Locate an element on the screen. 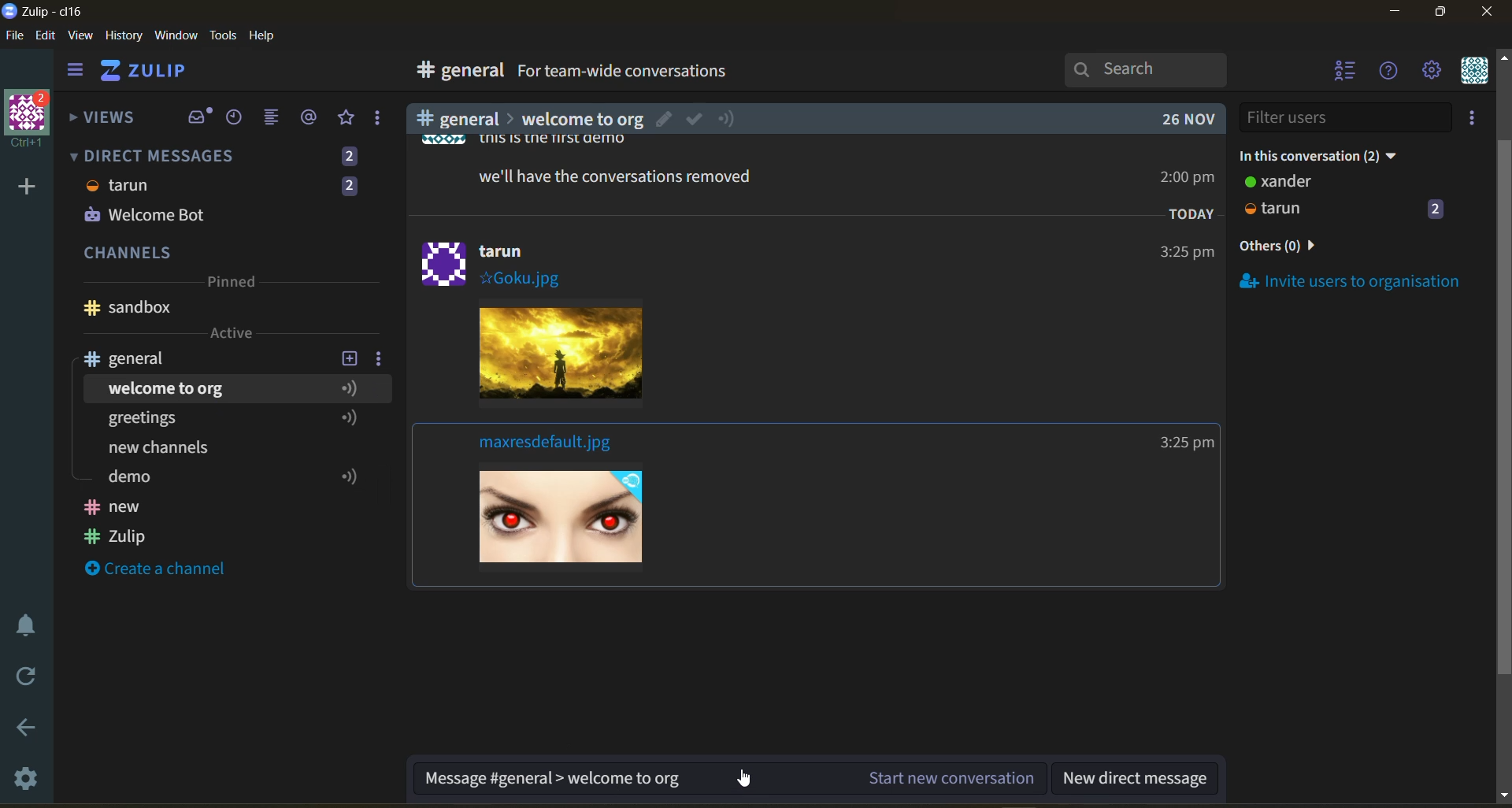 Image resolution: width=1512 pixels, height=808 pixels. pinned is located at coordinates (230, 284).